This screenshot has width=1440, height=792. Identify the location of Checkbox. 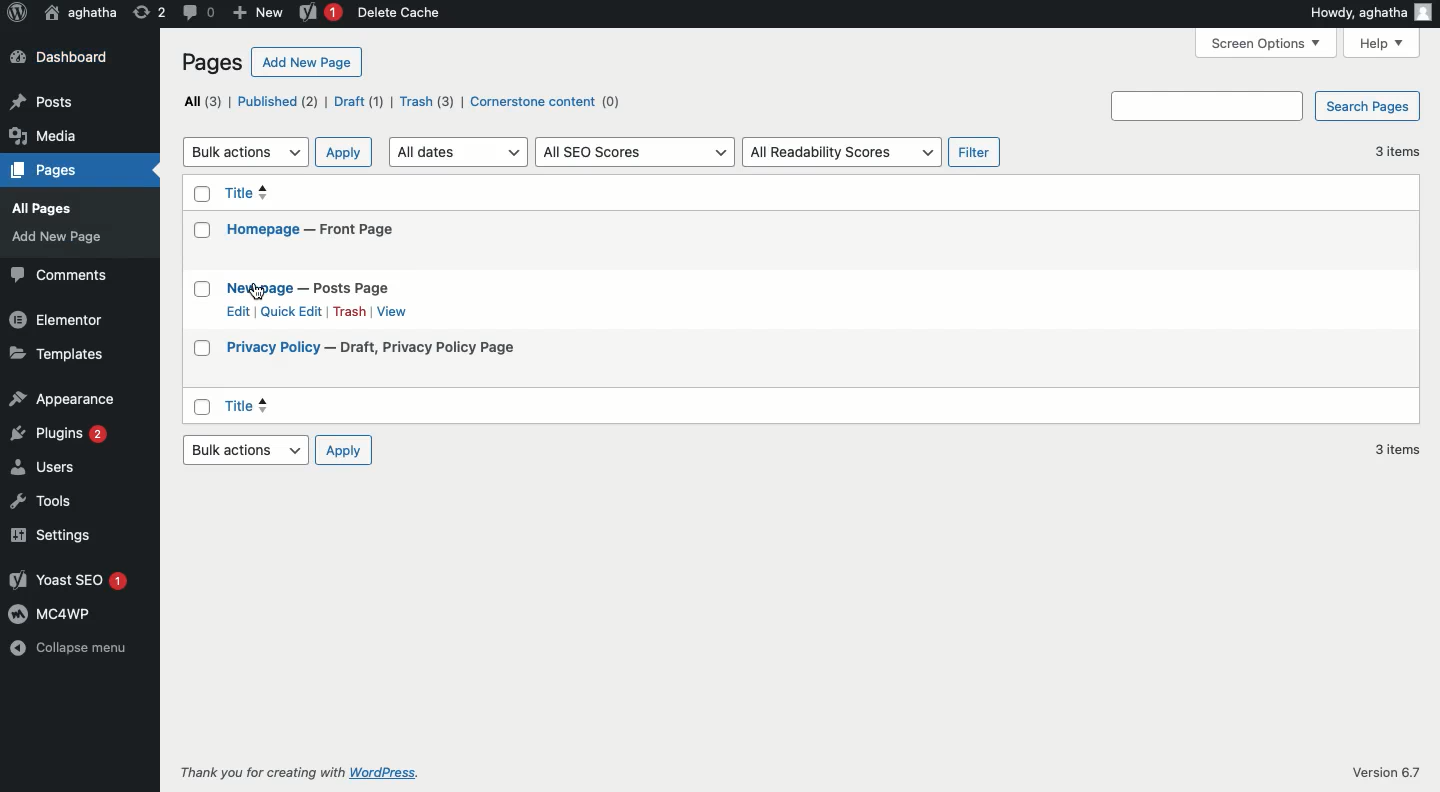
(204, 406).